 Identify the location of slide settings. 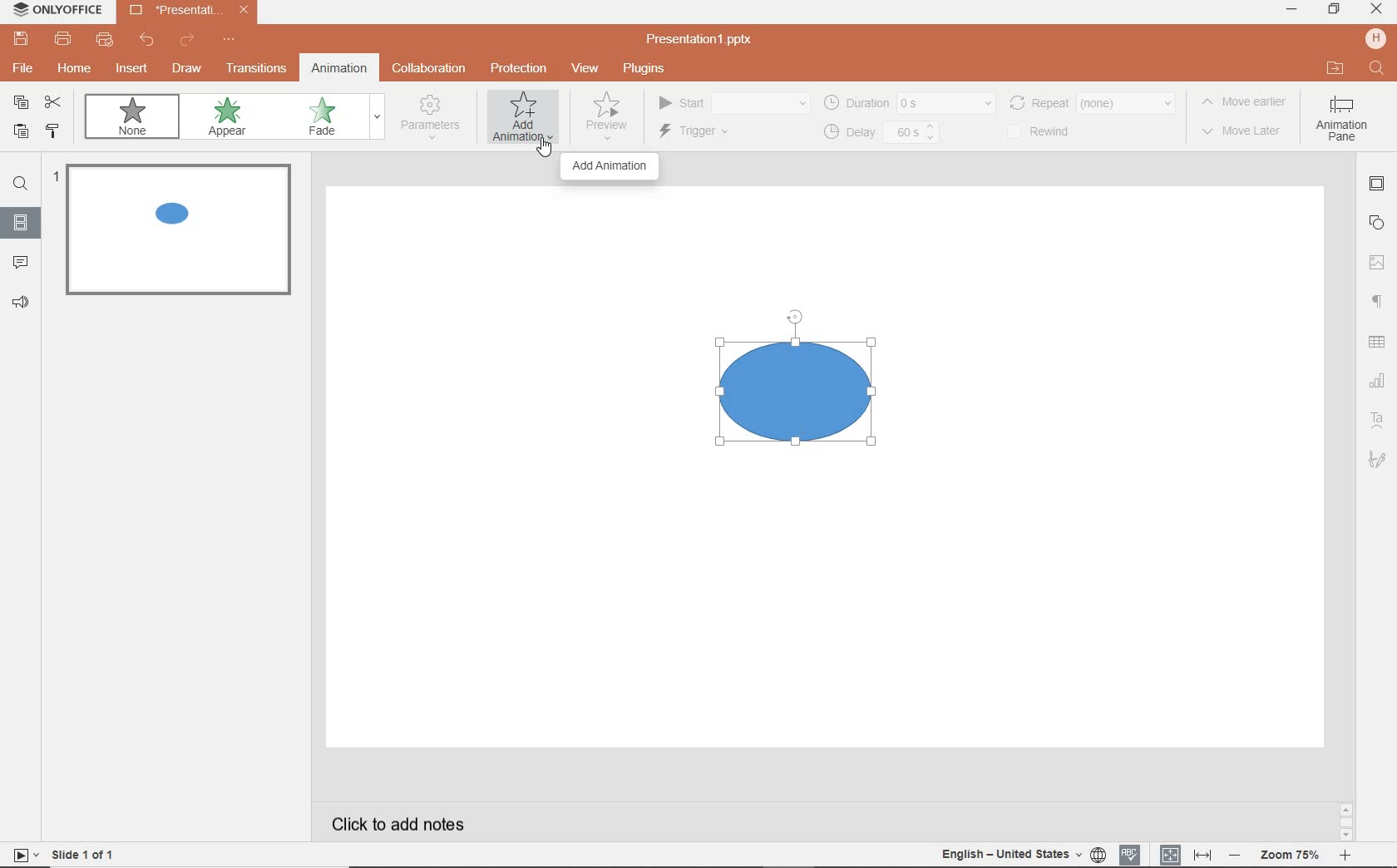
(1379, 186).